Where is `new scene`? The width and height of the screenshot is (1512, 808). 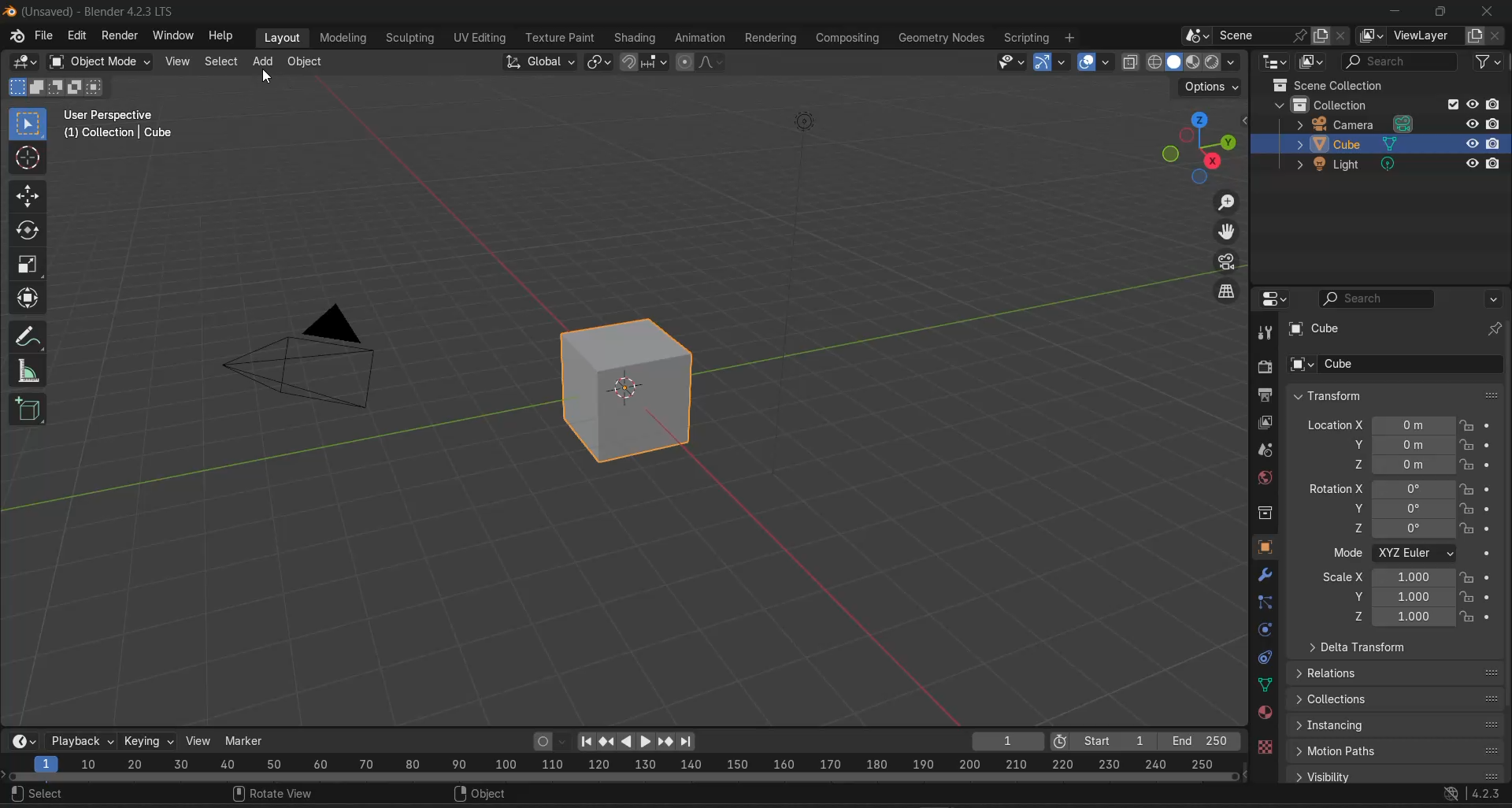
new scene is located at coordinates (1320, 35).